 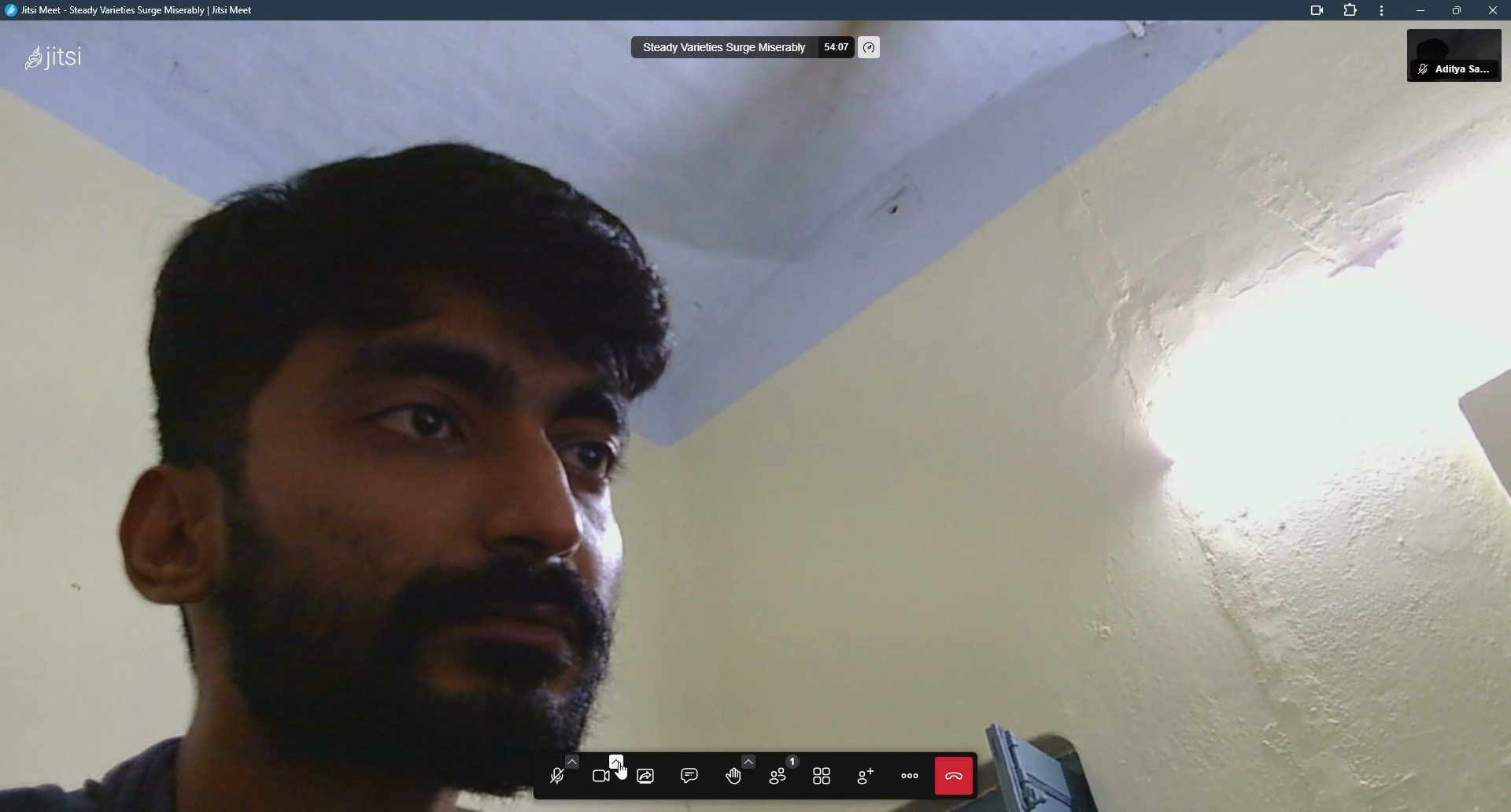 What do you see at coordinates (604, 772) in the screenshot?
I see `start camera` at bounding box center [604, 772].